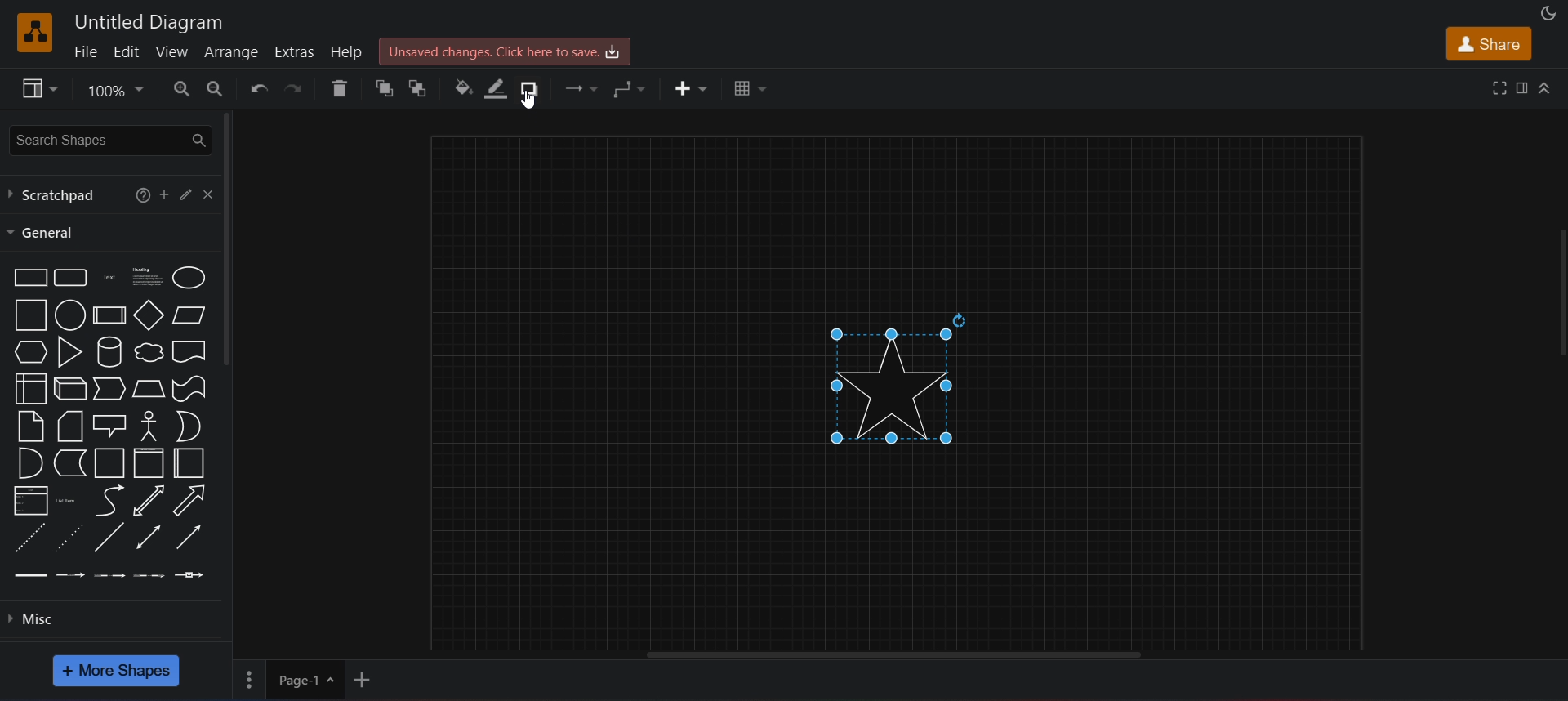 The height and width of the screenshot is (701, 1568). I want to click on container, so click(109, 462).